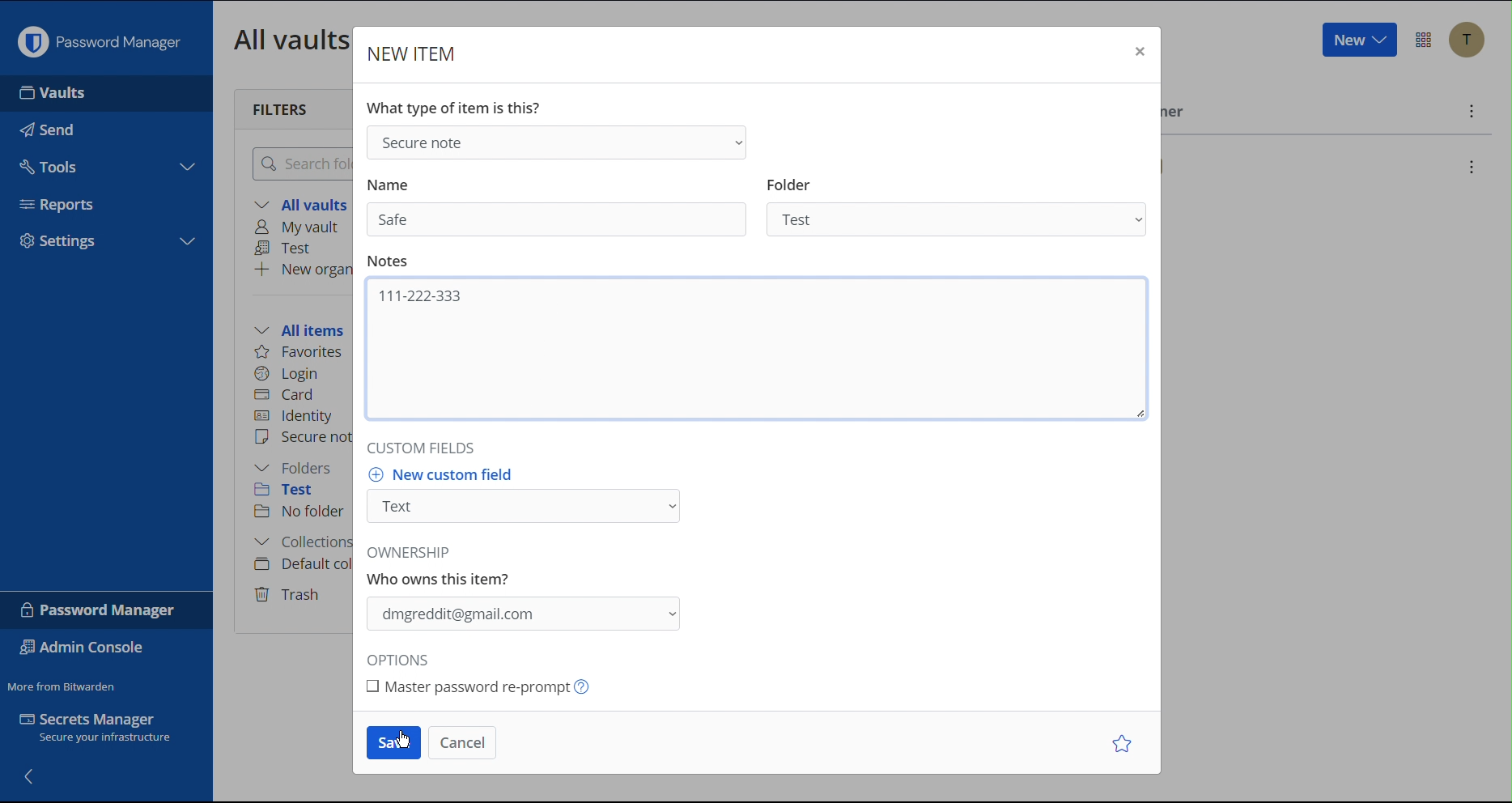  Describe the element at coordinates (300, 564) in the screenshot. I see `Default collection` at that location.